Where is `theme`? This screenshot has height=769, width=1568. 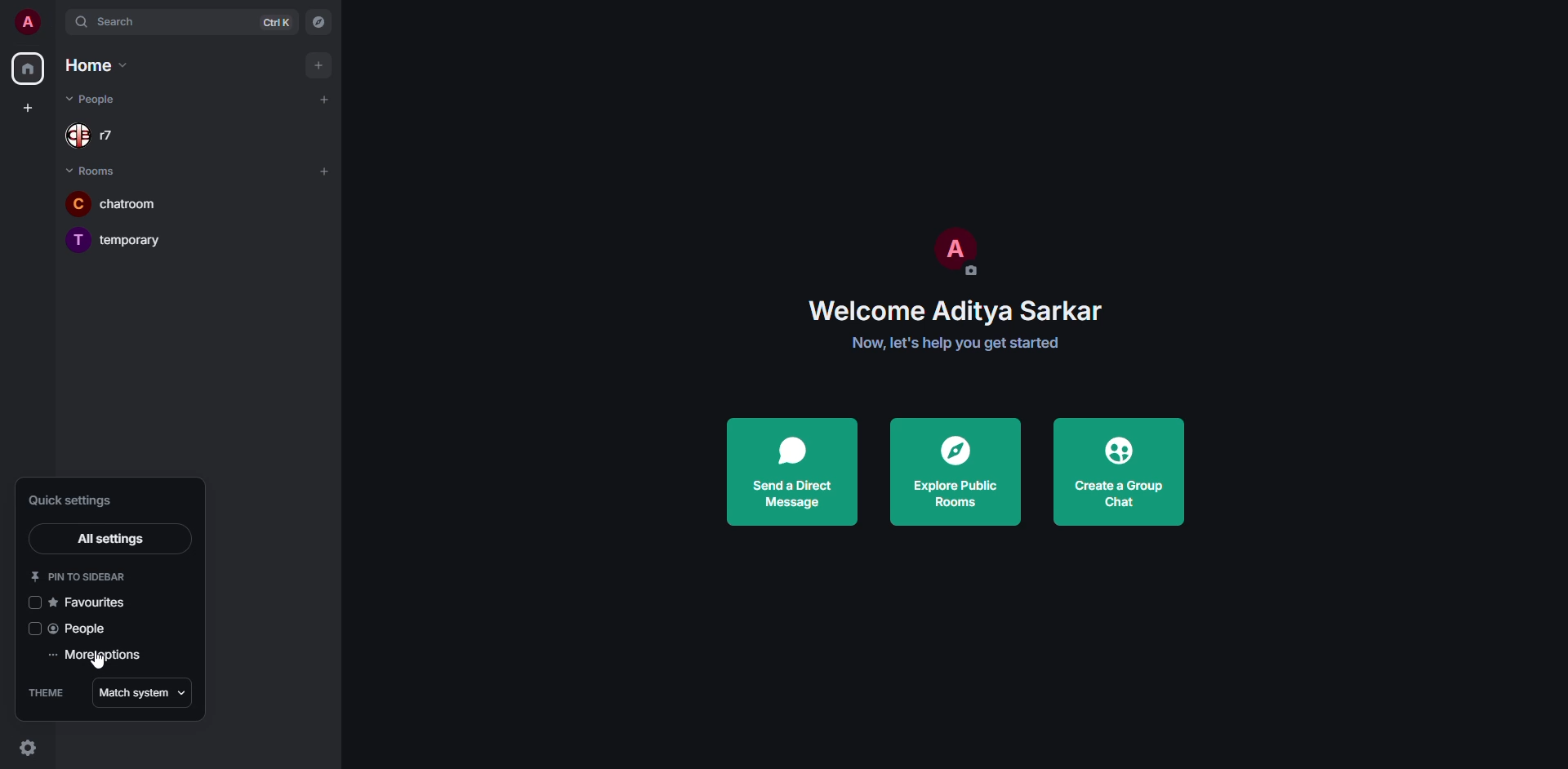 theme is located at coordinates (47, 693).